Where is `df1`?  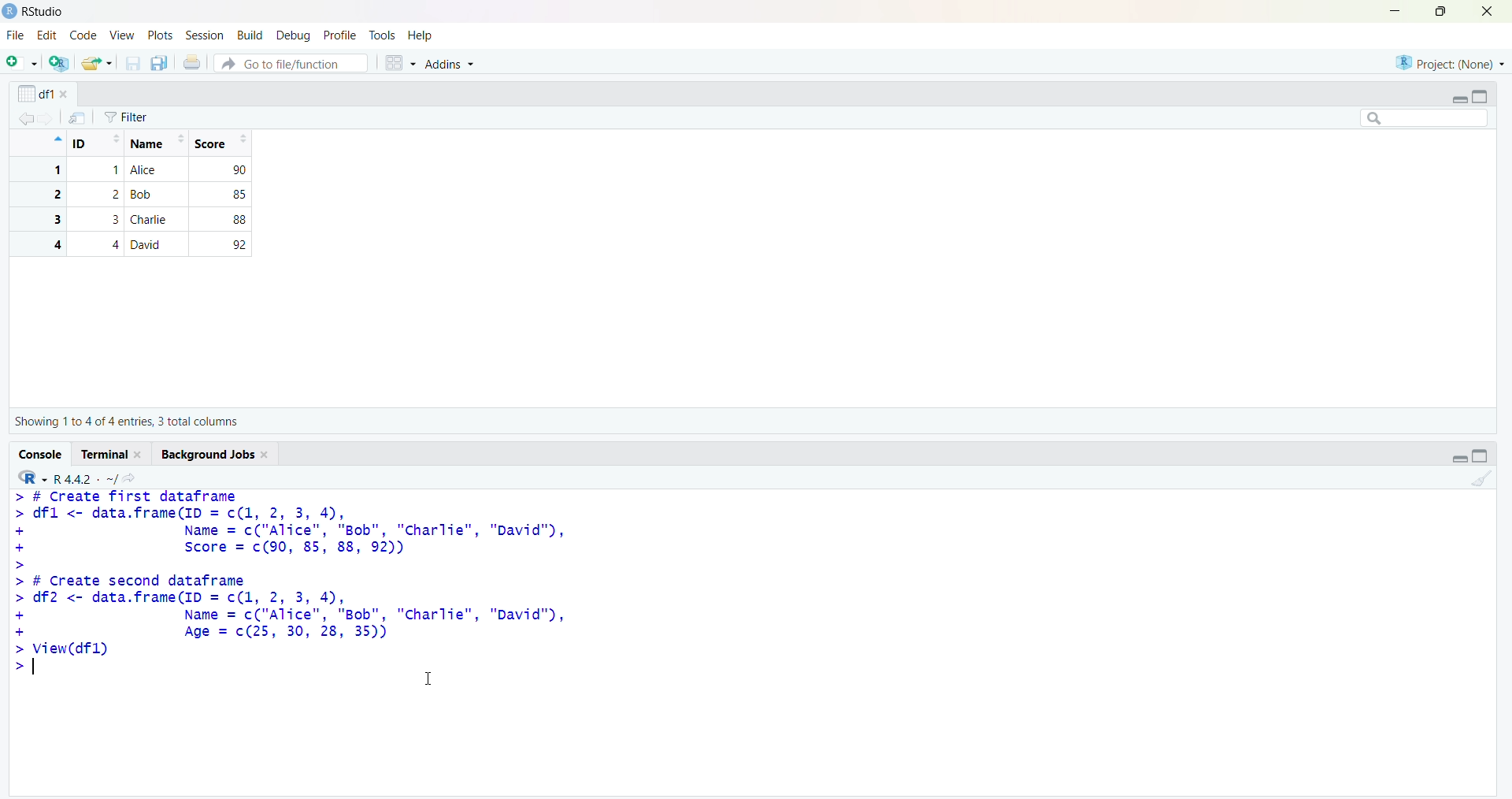 df1 is located at coordinates (35, 94).